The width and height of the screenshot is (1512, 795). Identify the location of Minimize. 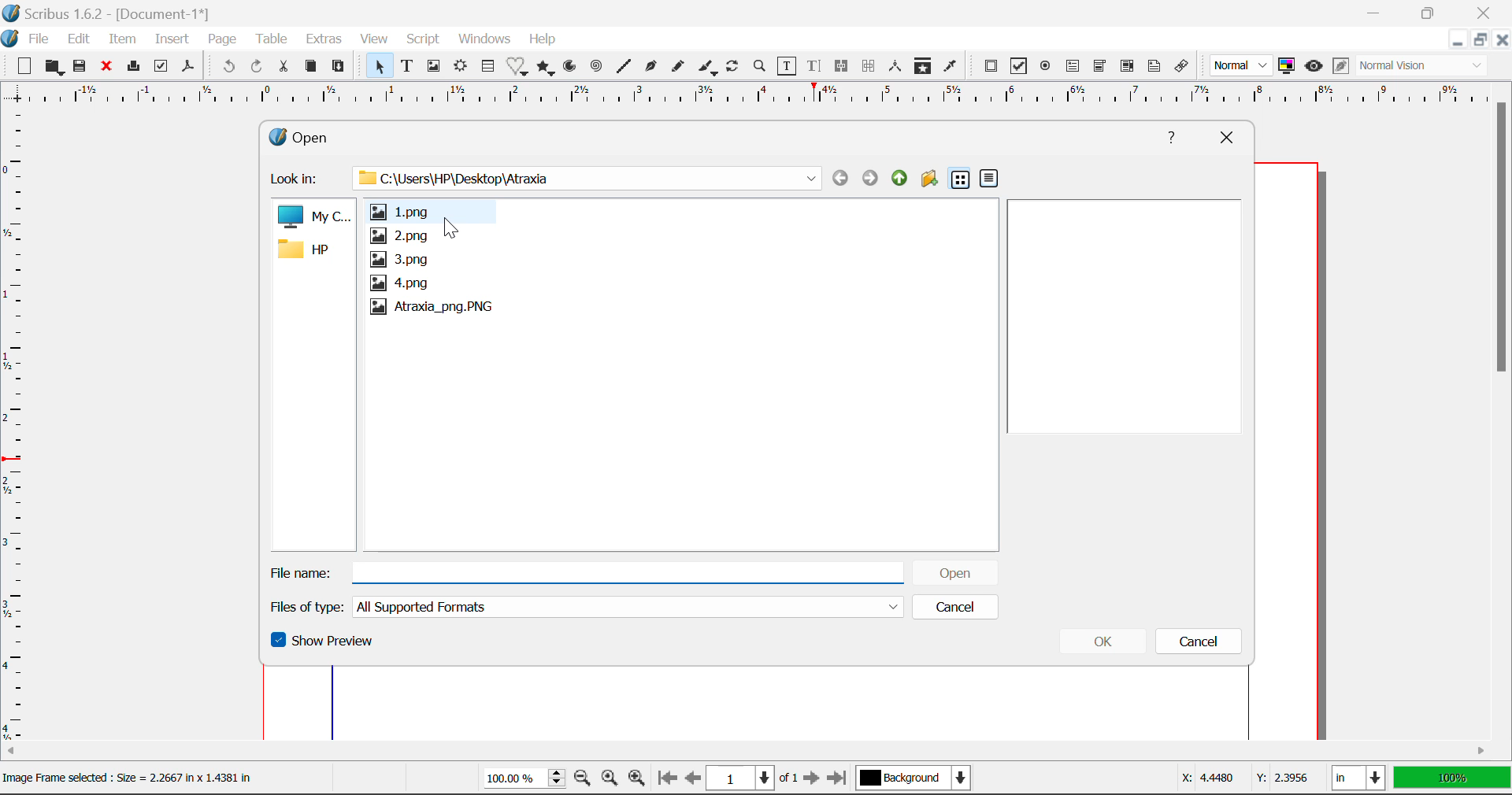
(1436, 13).